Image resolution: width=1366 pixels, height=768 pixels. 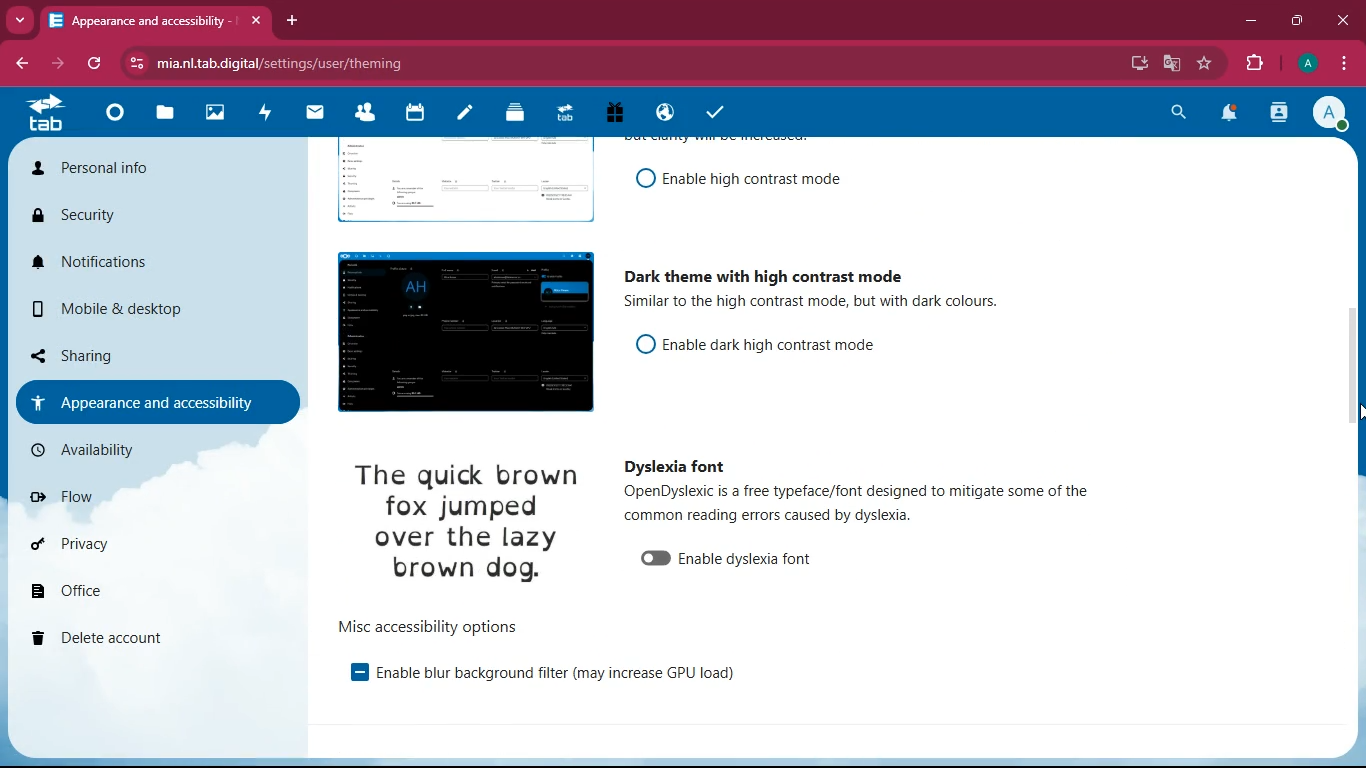 I want to click on back, so click(x=20, y=64).